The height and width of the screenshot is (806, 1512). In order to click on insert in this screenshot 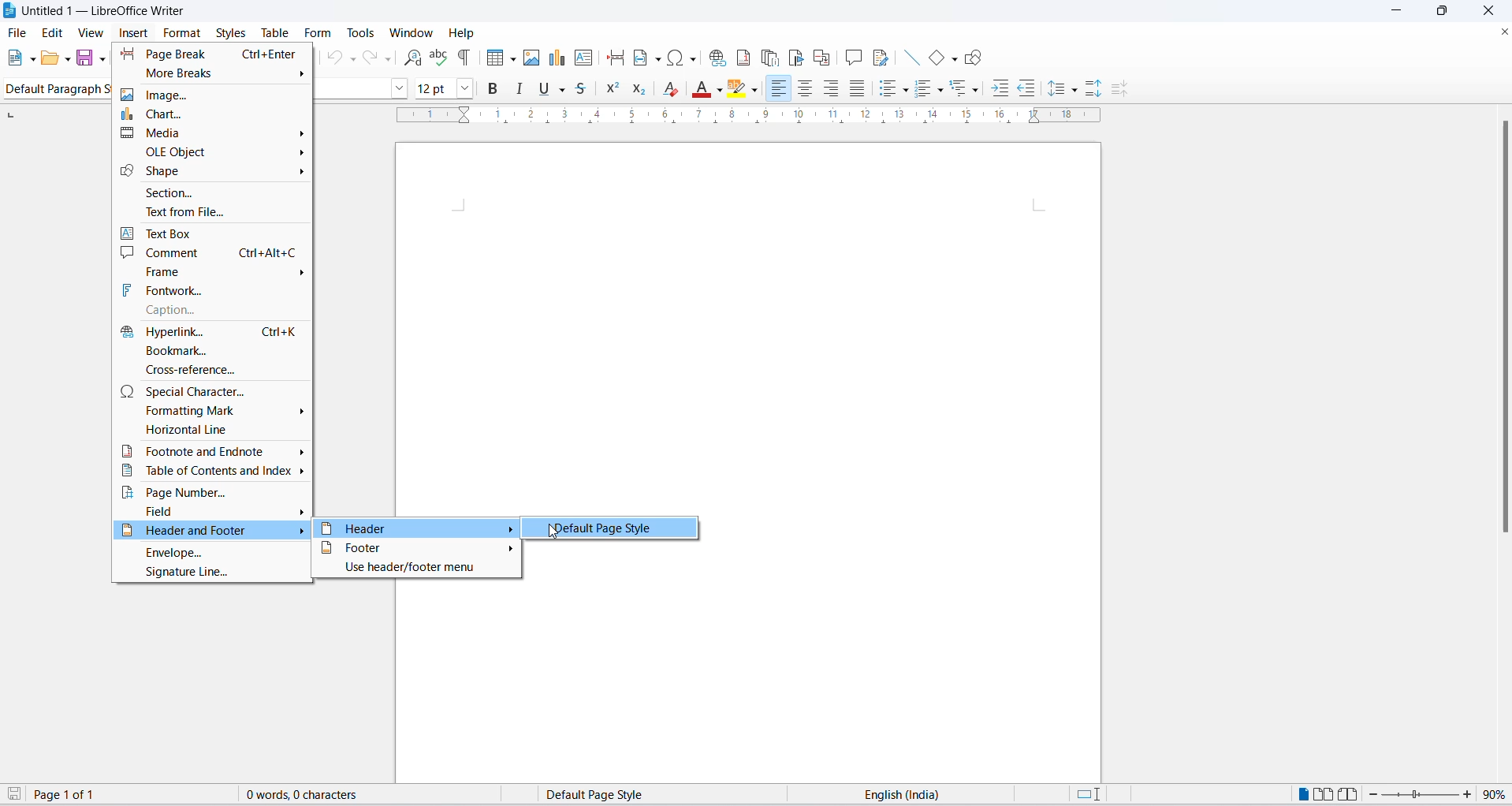, I will do `click(134, 32)`.